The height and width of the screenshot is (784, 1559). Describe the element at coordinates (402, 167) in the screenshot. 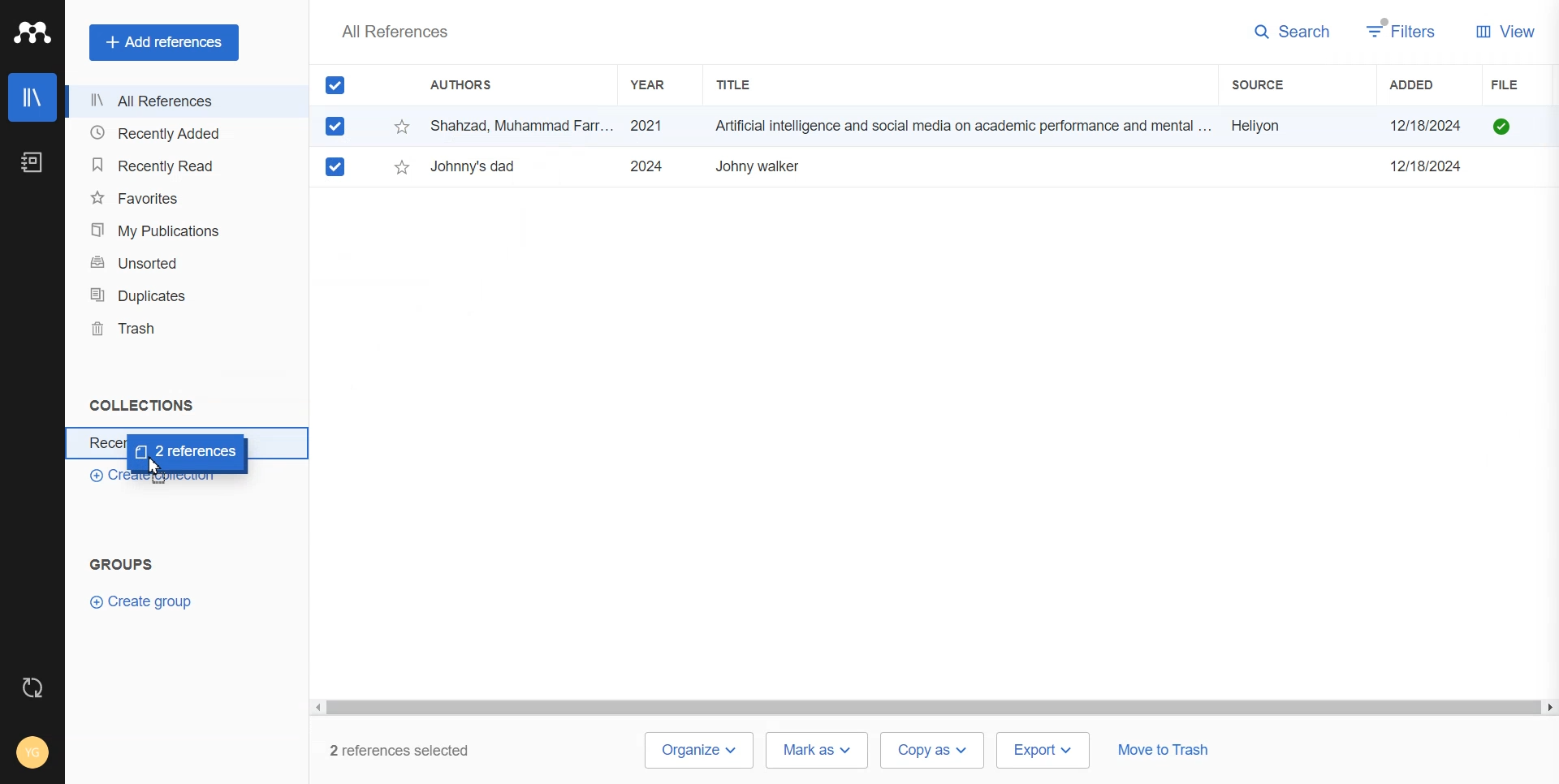

I see `star` at that location.